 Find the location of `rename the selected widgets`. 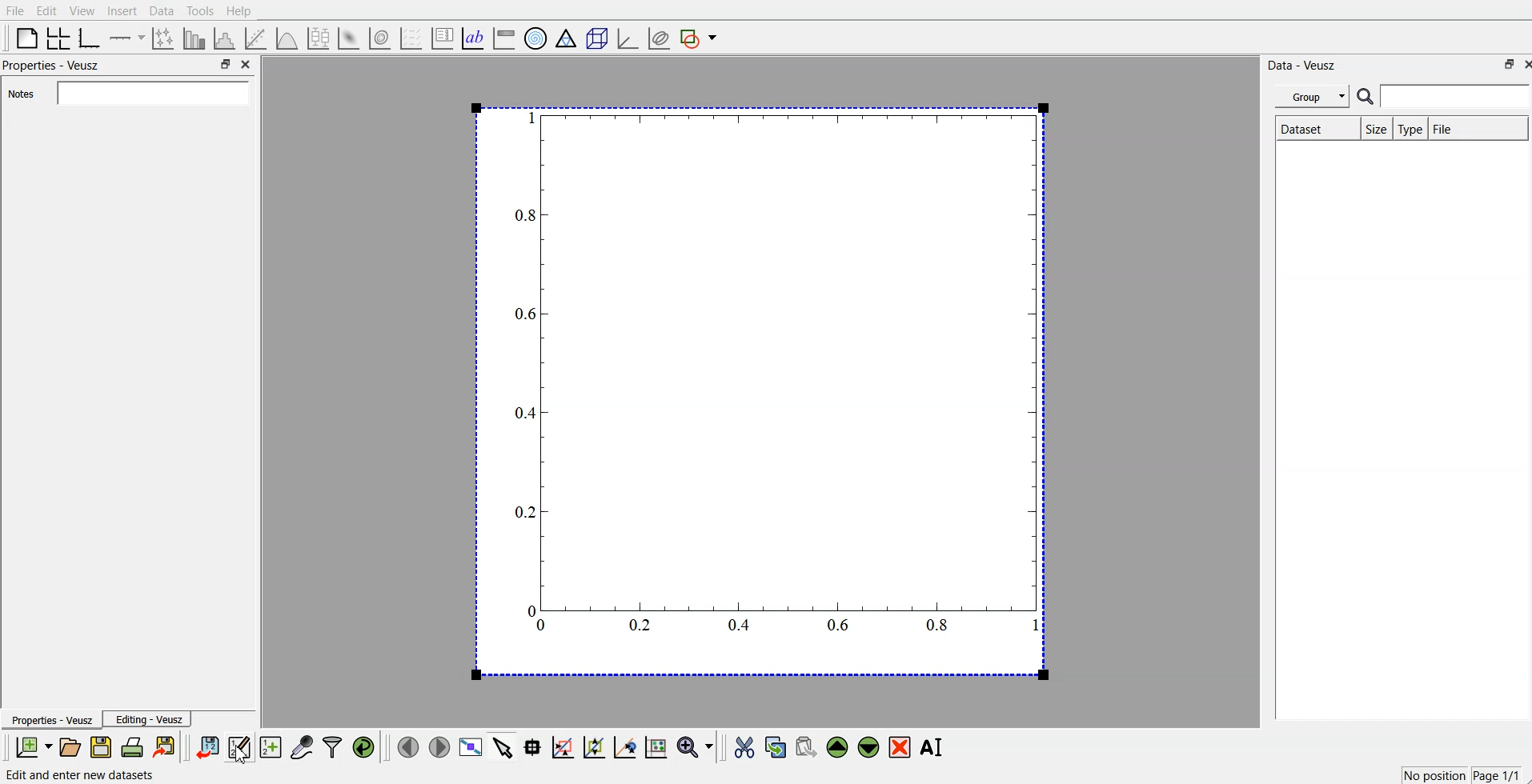

rename the selected widgets is located at coordinates (932, 747).